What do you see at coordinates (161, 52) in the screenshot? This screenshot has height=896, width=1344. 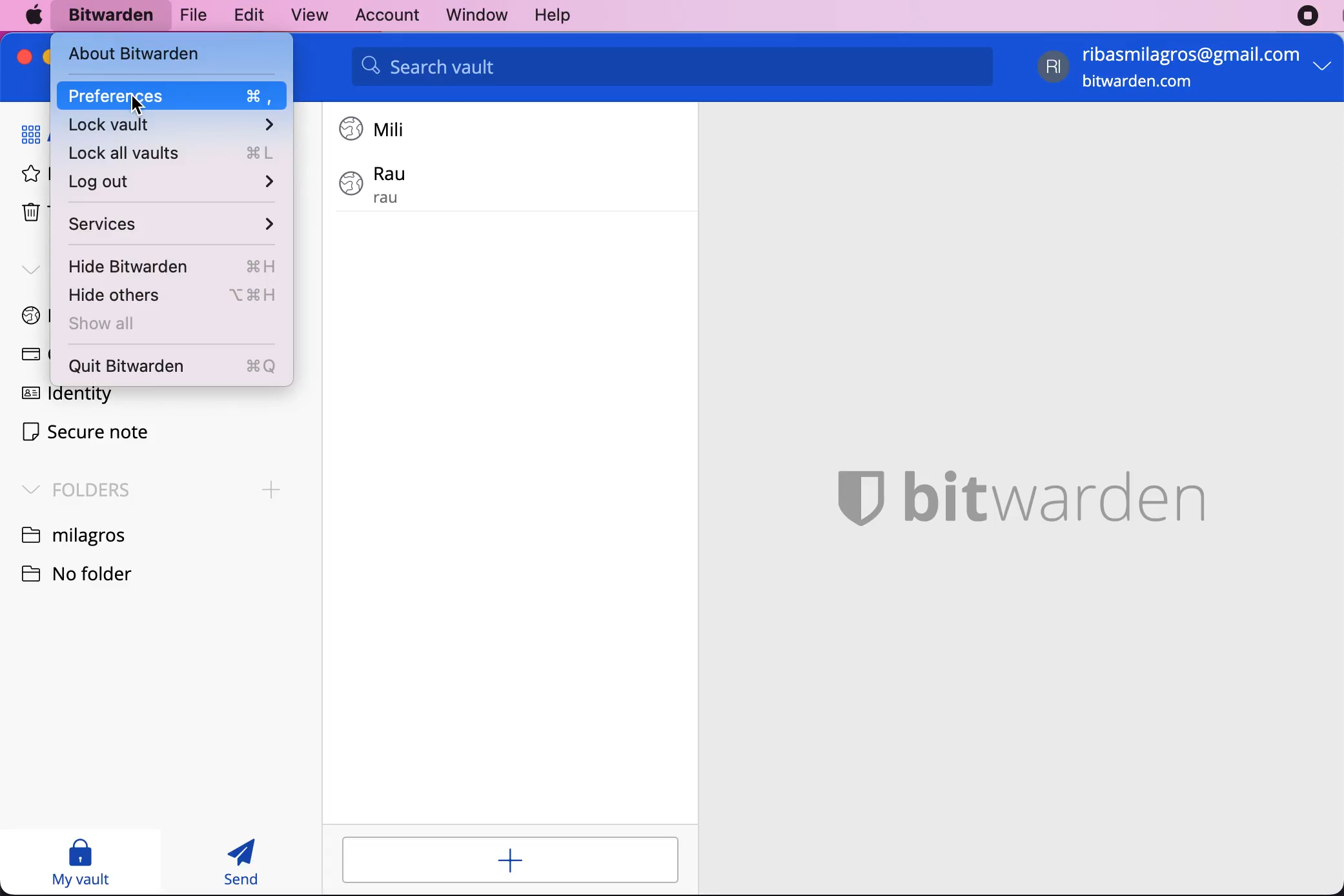 I see `about bitwarden` at bounding box center [161, 52].